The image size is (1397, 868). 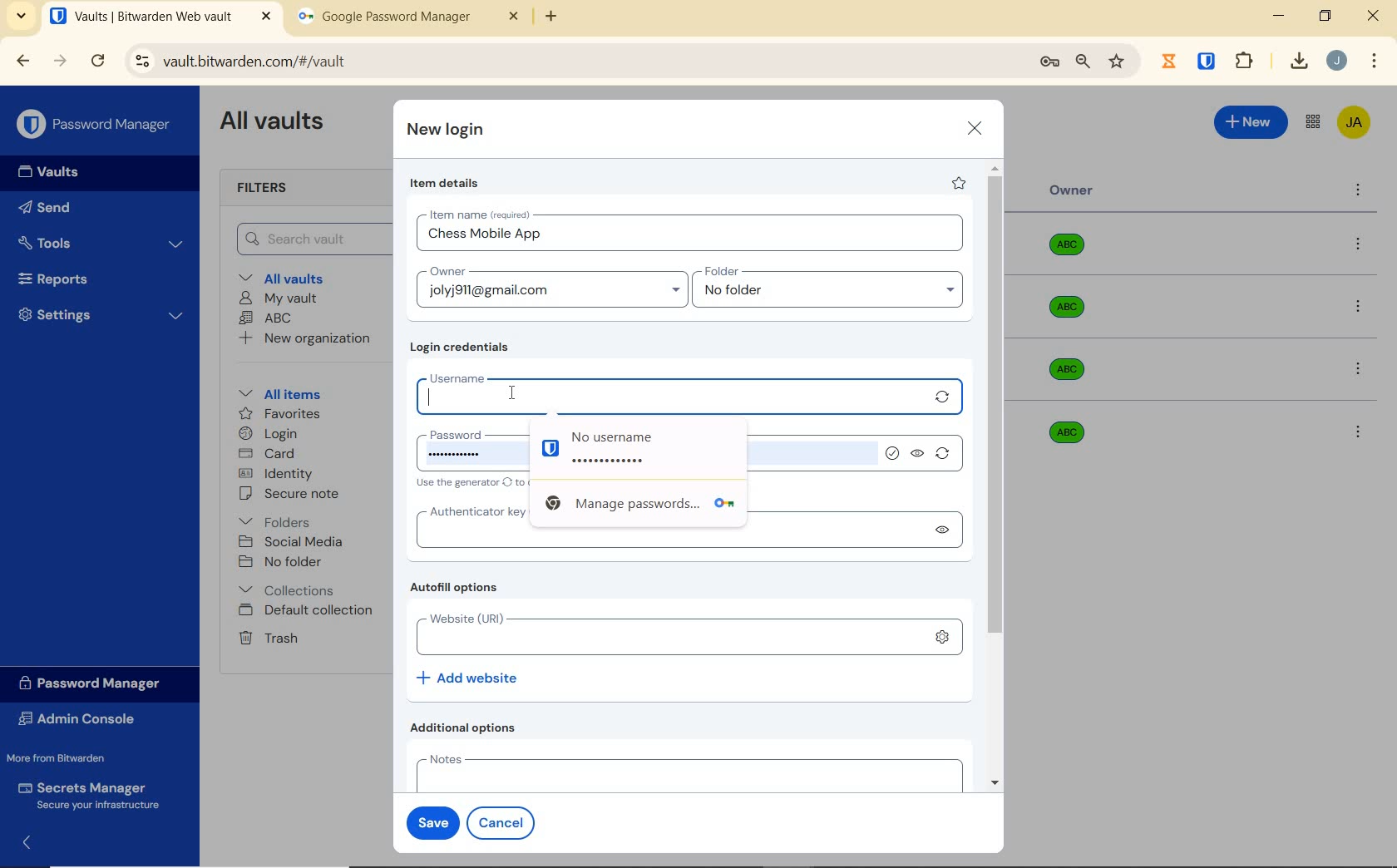 What do you see at coordinates (86, 796) in the screenshot?
I see `Secrets Manager` at bounding box center [86, 796].